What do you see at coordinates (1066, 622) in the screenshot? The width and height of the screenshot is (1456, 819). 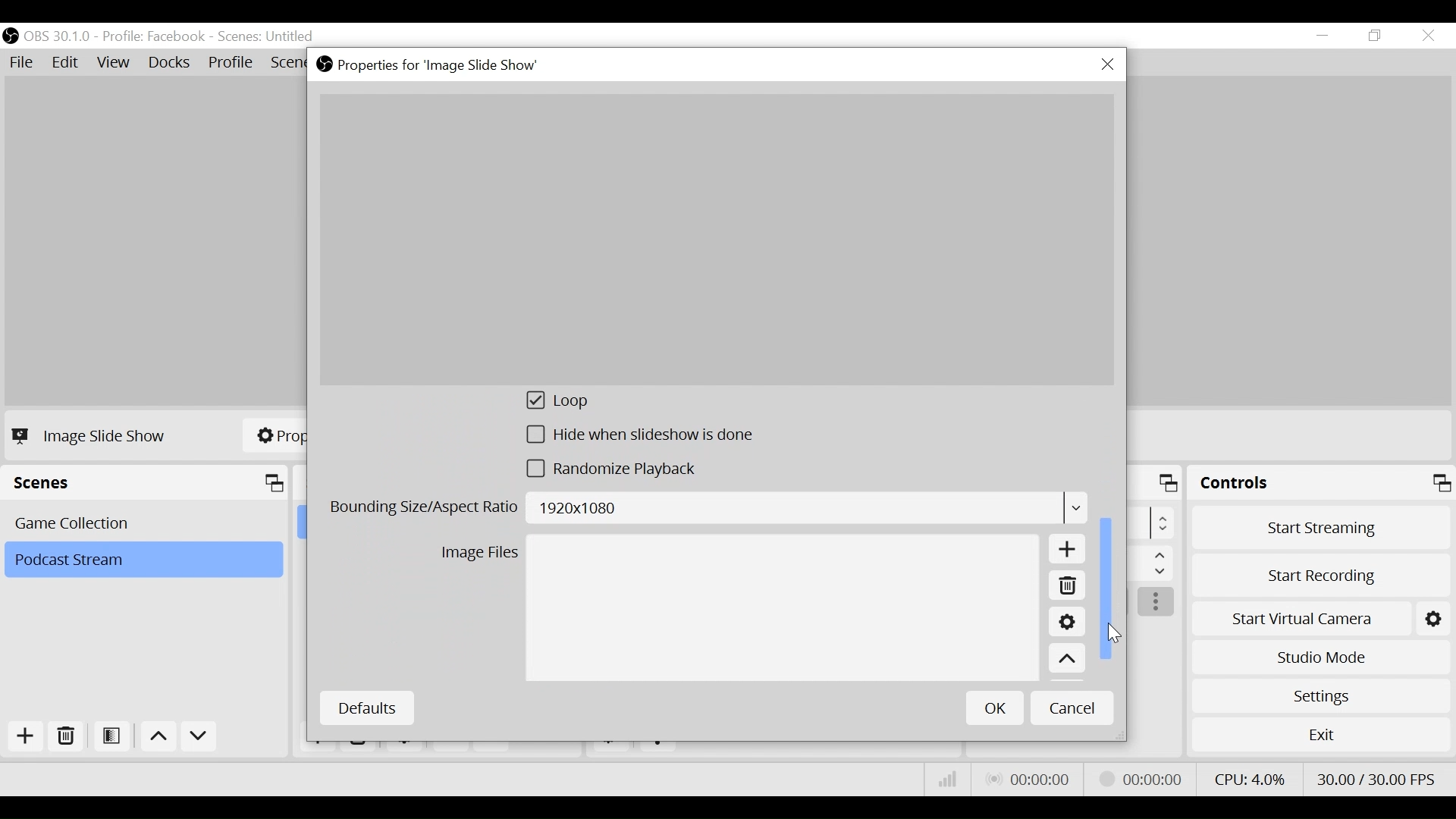 I see `Settings` at bounding box center [1066, 622].